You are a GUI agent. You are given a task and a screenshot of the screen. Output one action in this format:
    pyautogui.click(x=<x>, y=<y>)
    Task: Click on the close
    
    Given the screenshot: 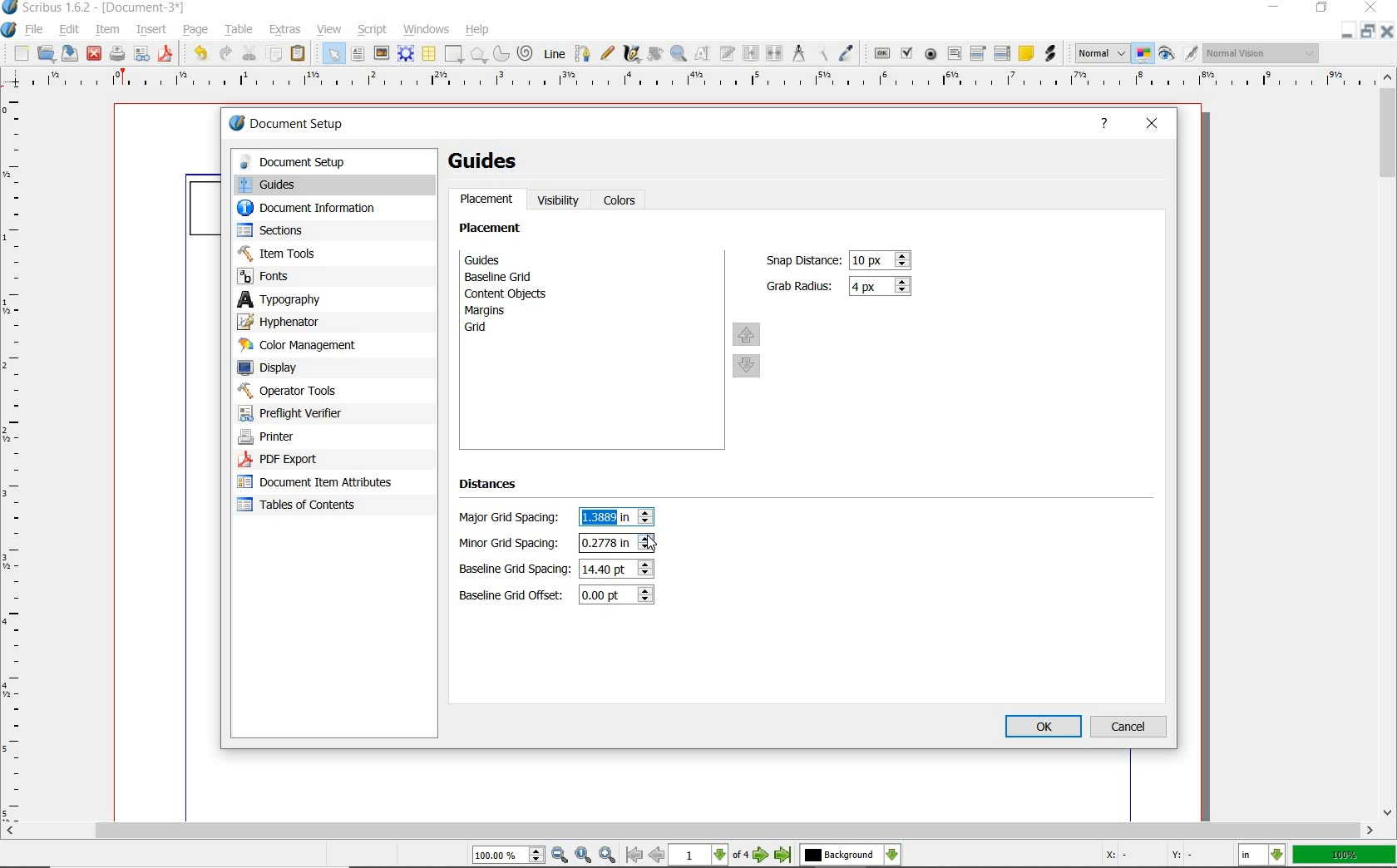 What is the action you would take?
    pyautogui.click(x=1371, y=7)
    